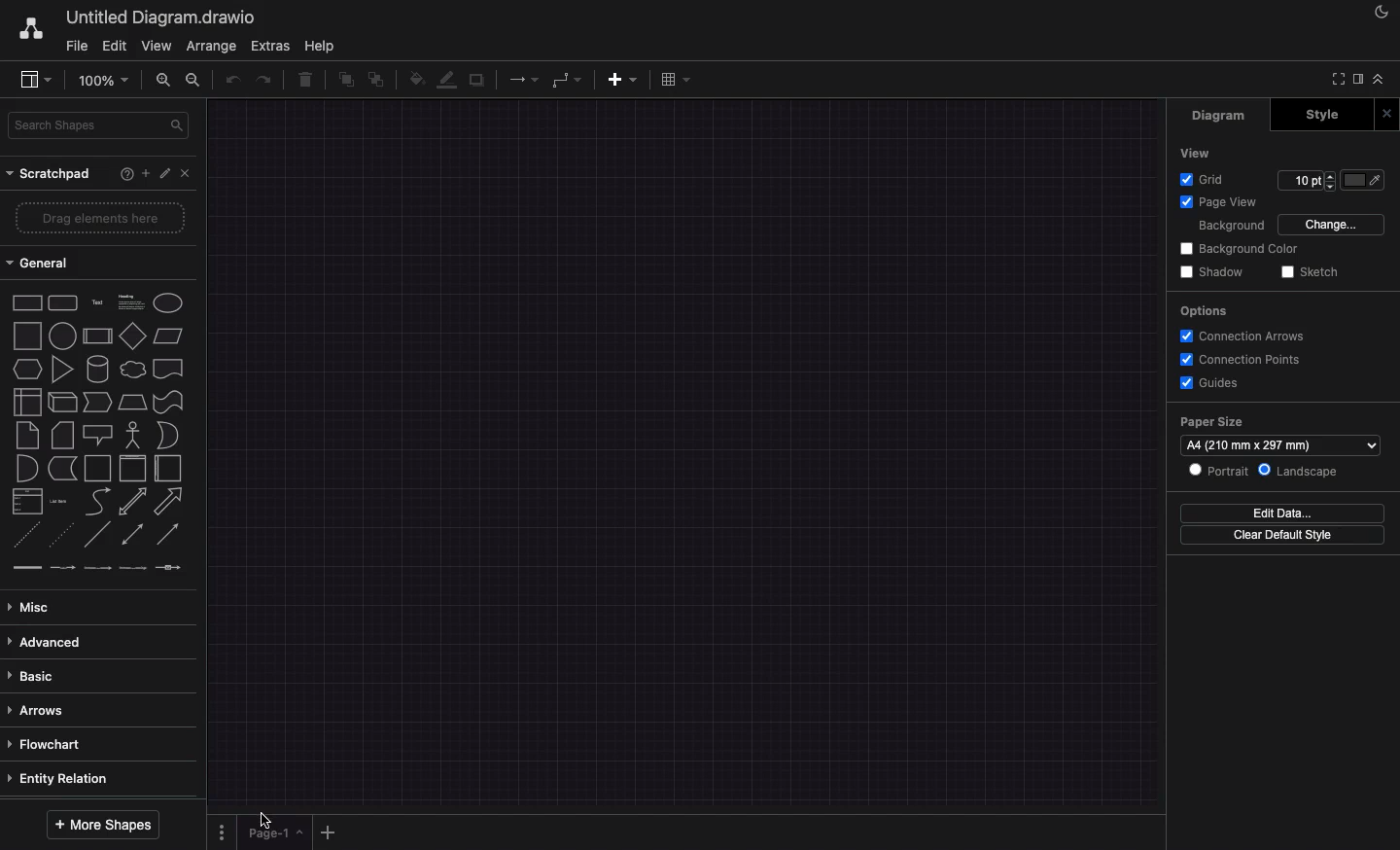  Describe the element at coordinates (169, 368) in the screenshot. I see `document` at that location.